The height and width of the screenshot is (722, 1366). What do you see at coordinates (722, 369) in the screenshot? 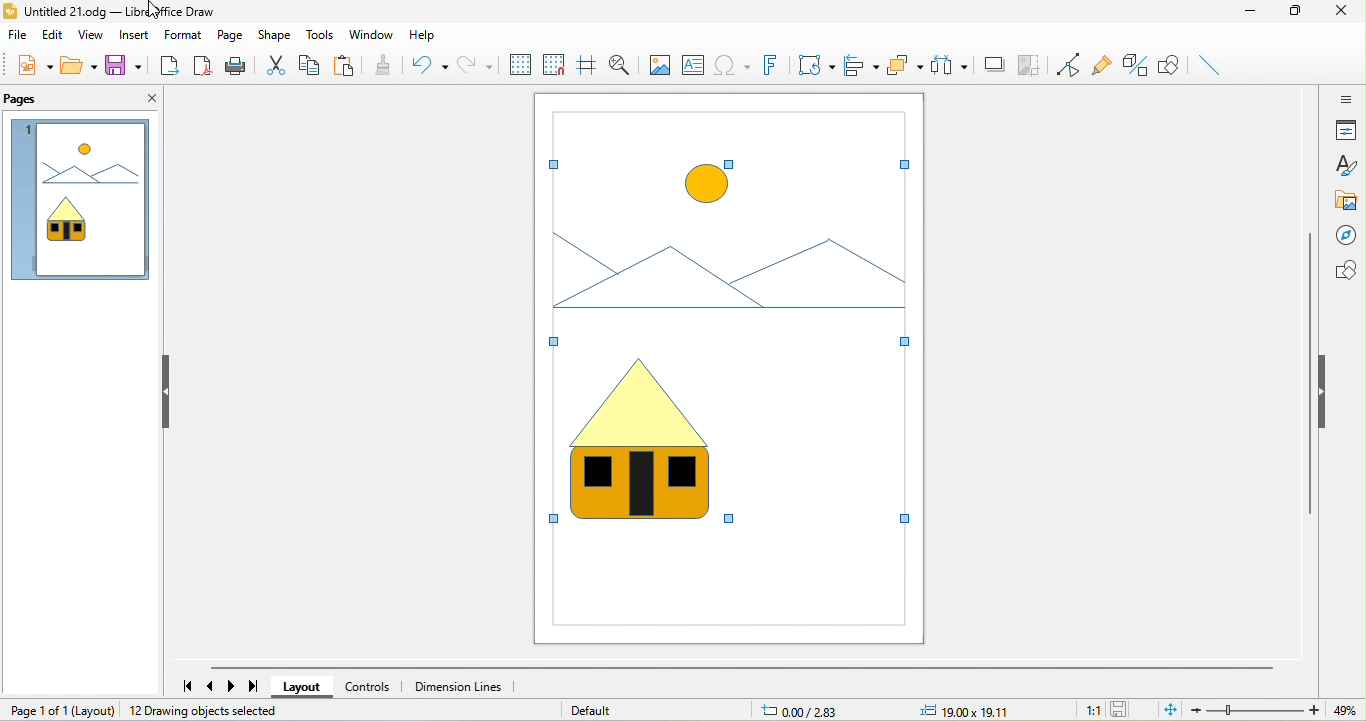
I see `image` at bounding box center [722, 369].